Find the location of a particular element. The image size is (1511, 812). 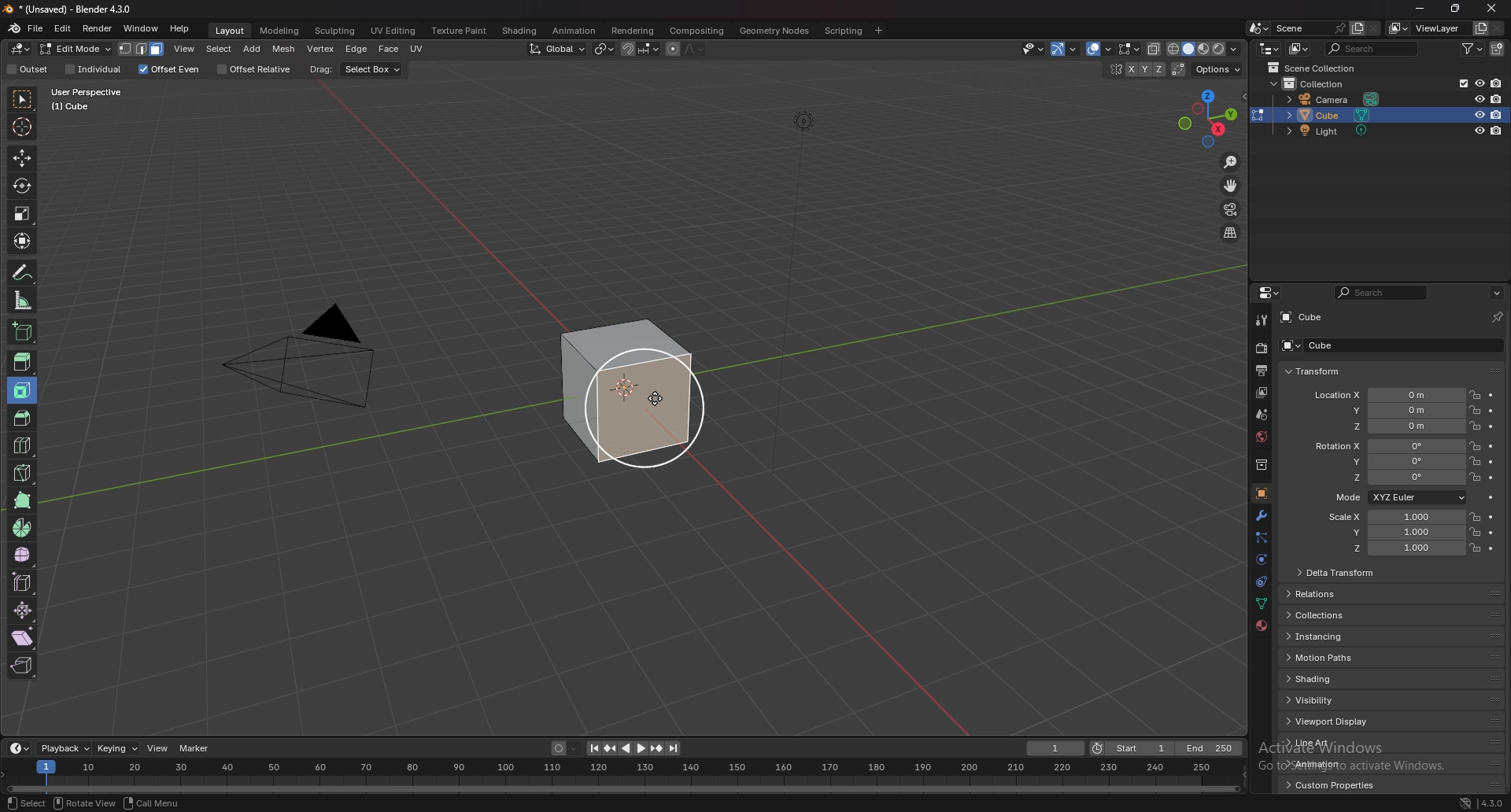

mesh edit mode is located at coordinates (1129, 48).